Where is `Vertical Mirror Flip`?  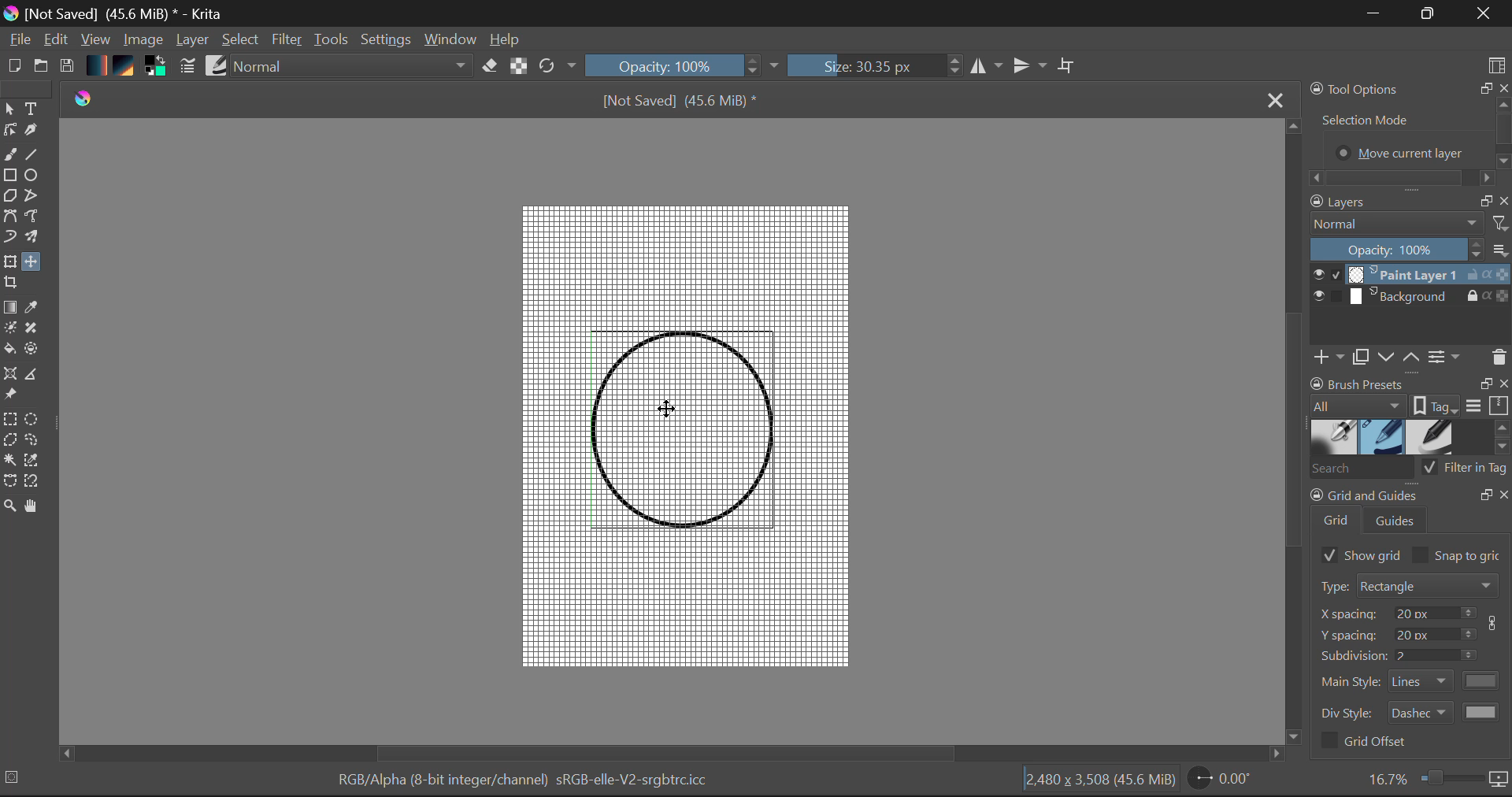 Vertical Mirror Flip is located at coordinates (988, 66).